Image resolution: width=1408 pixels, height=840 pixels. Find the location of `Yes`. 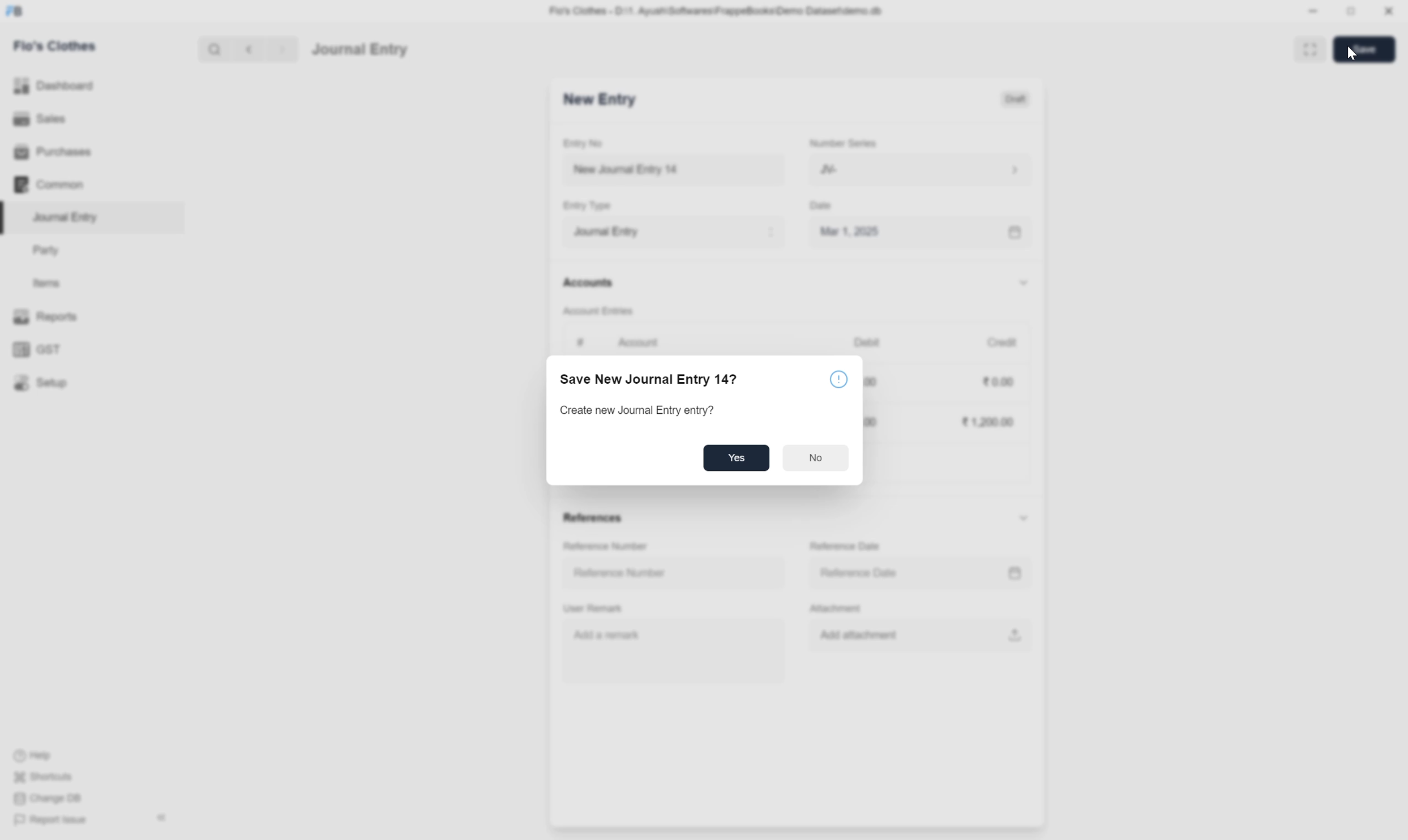

Yes is located at coordinates (736, 456).